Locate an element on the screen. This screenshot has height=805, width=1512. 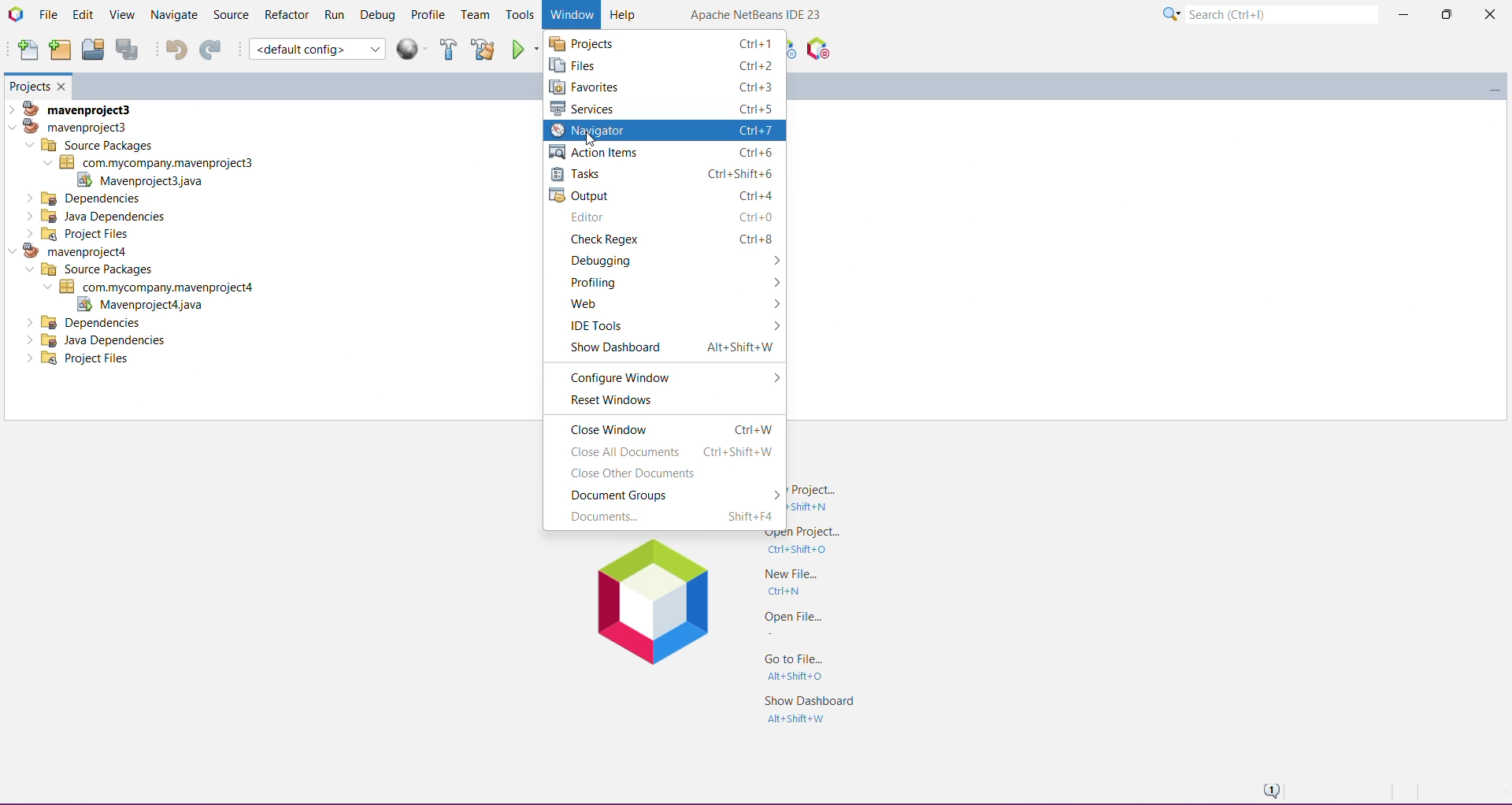
Profiling is located at coordinates (671, 282).